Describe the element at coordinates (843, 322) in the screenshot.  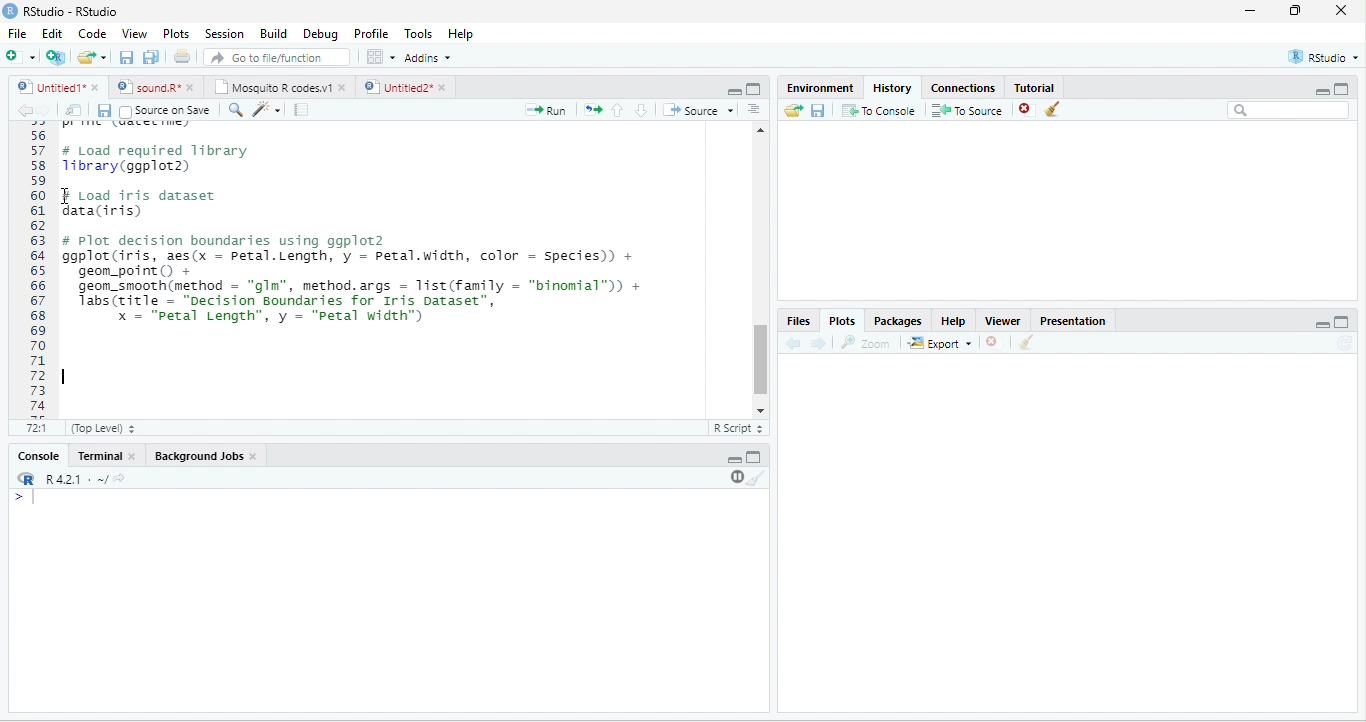
I see `Plots` at that location.